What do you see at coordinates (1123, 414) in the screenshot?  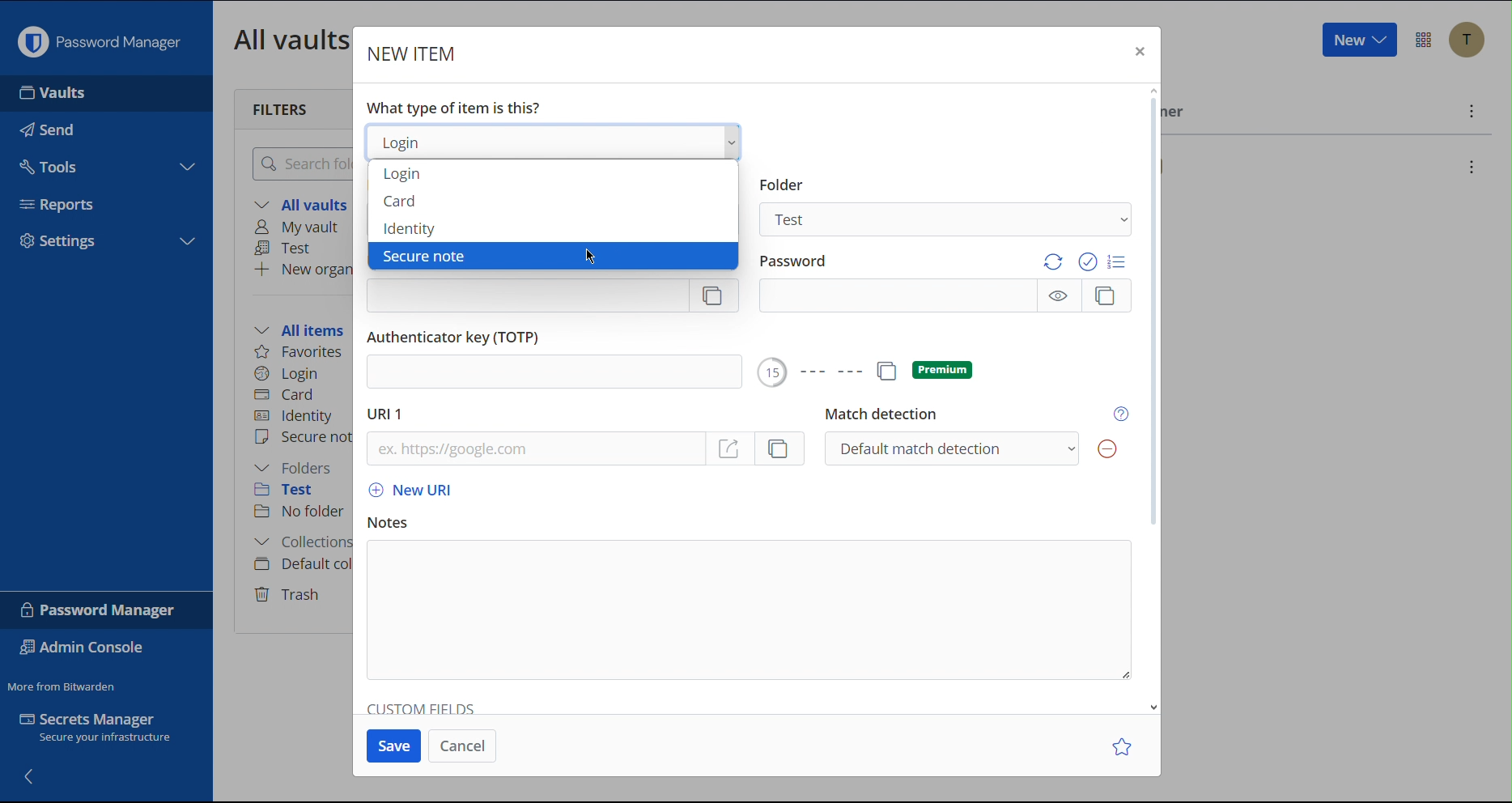 I see `Help` at bounding box center [1123, 414].